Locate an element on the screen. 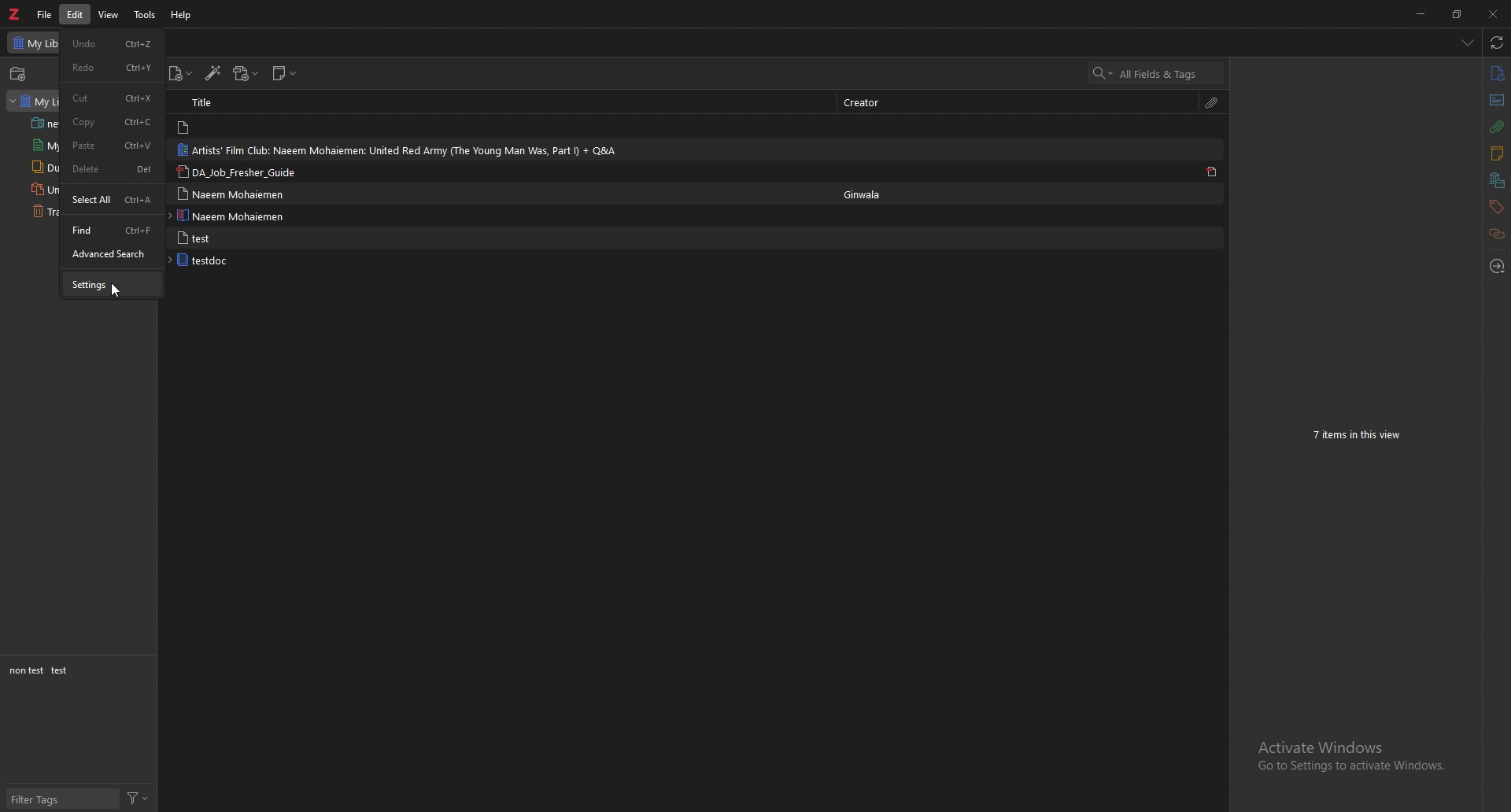  tools is located at coordinates (145, 14).